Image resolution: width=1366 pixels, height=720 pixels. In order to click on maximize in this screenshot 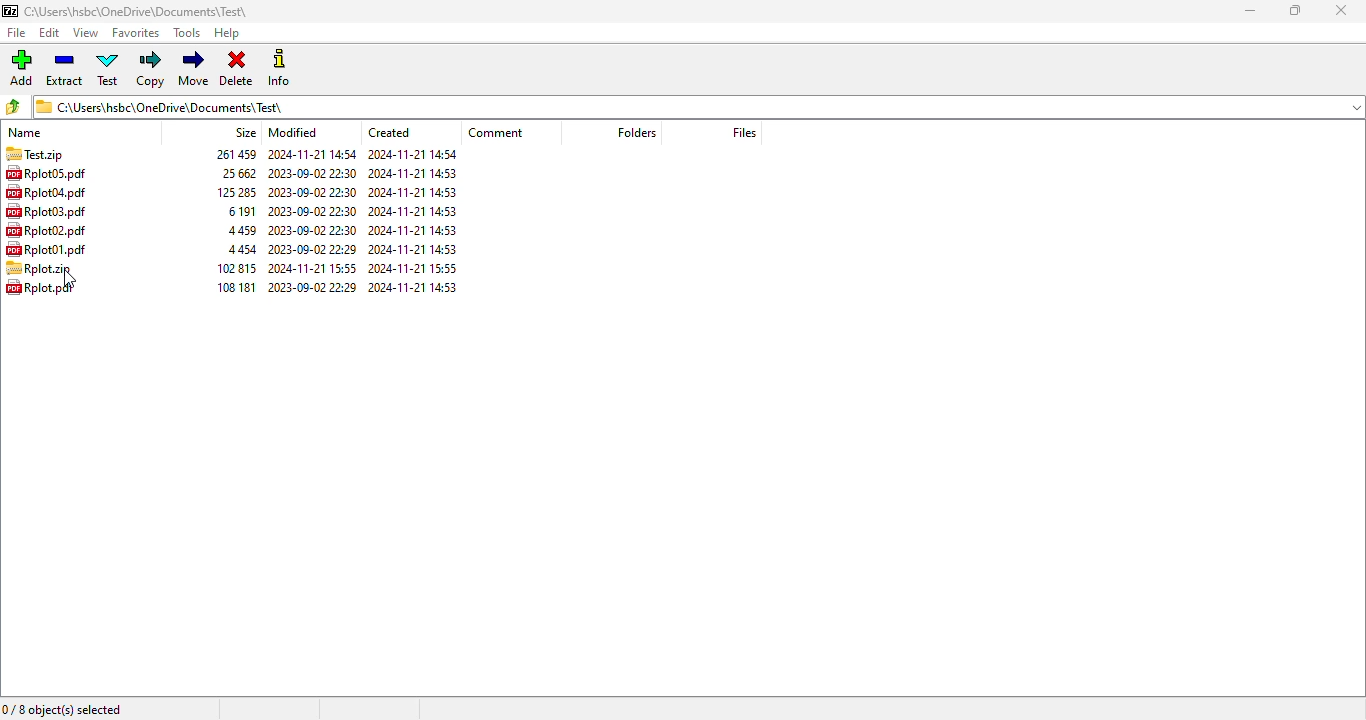, I will do `click(1294, 10)`.